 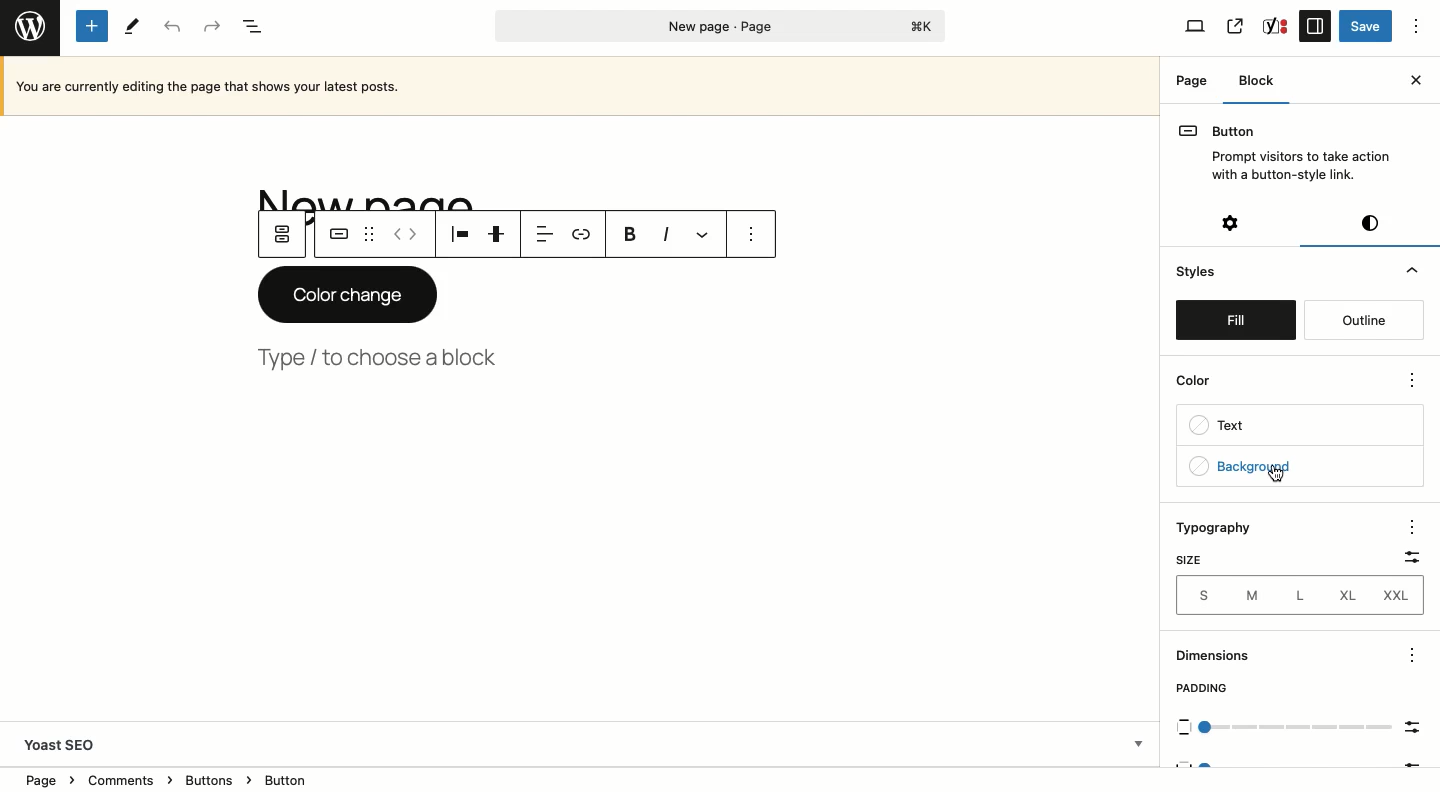 What do you see at coordinates (1202, 272) in the screenshot?
I see `Styles` at bounding box center [1202, 272].